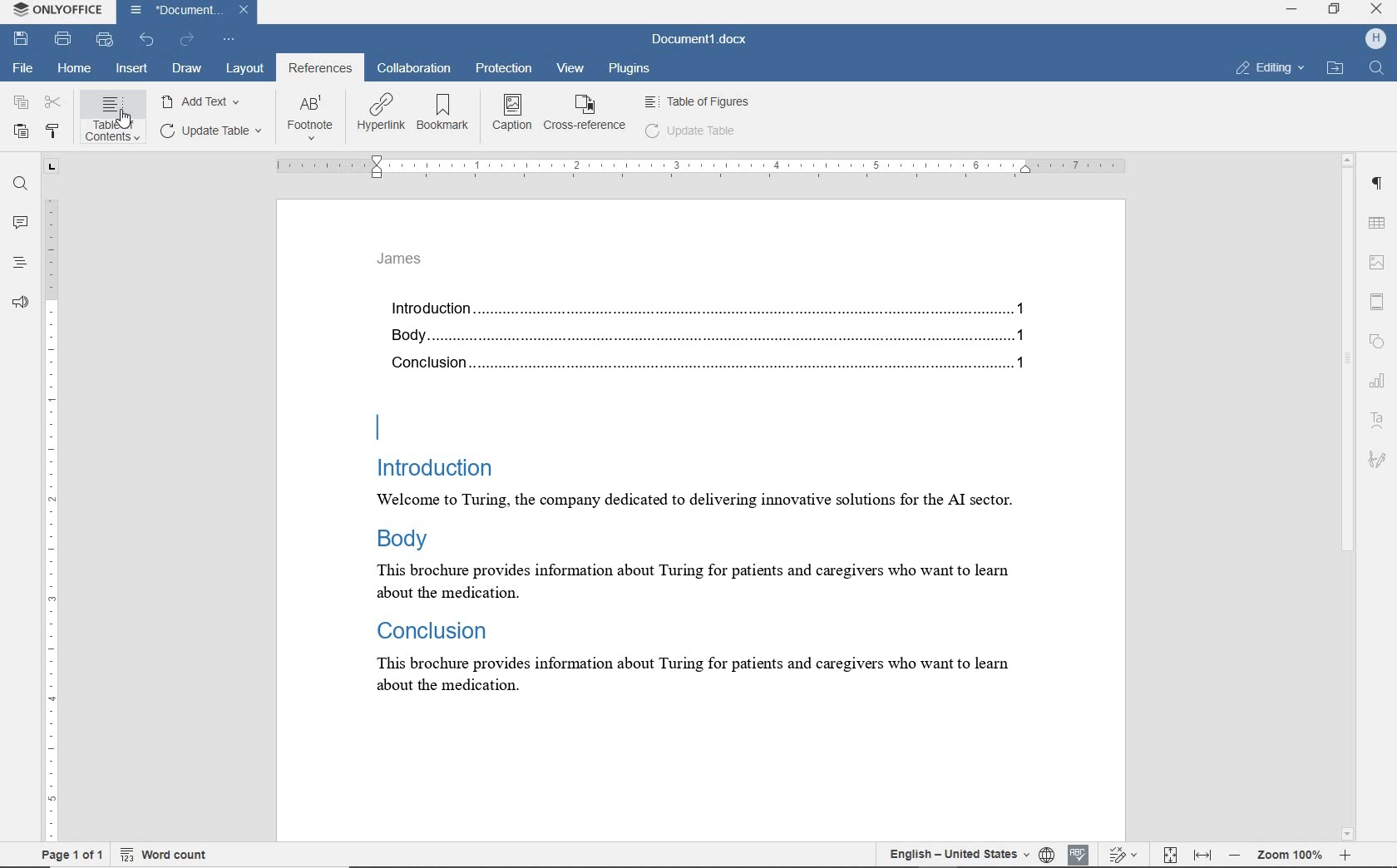 This screenshot has width=1397, height=868. I want to click on layout, so click(244, 68).